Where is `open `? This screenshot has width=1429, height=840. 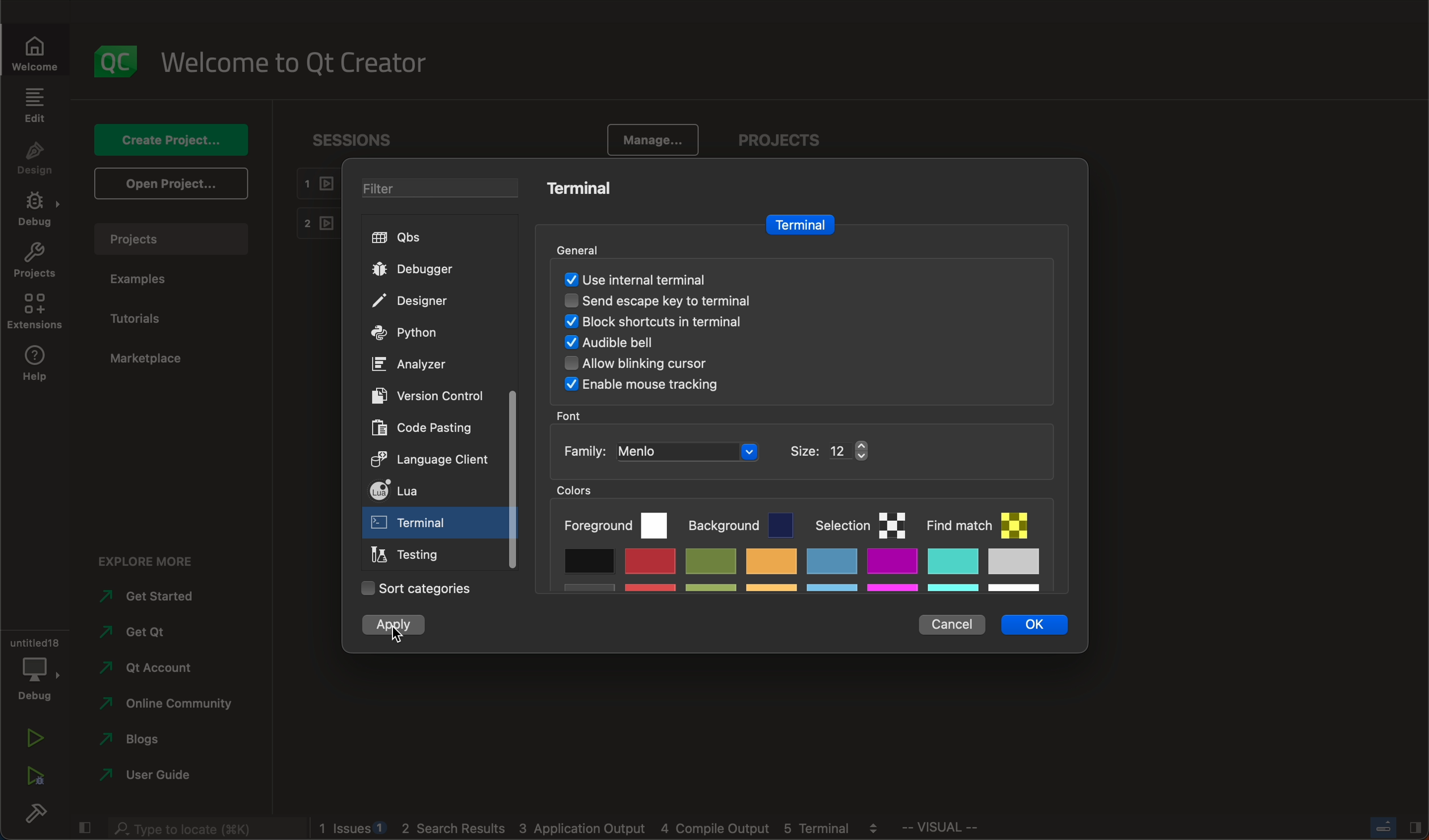 open  is located at coordinates (168, 184).